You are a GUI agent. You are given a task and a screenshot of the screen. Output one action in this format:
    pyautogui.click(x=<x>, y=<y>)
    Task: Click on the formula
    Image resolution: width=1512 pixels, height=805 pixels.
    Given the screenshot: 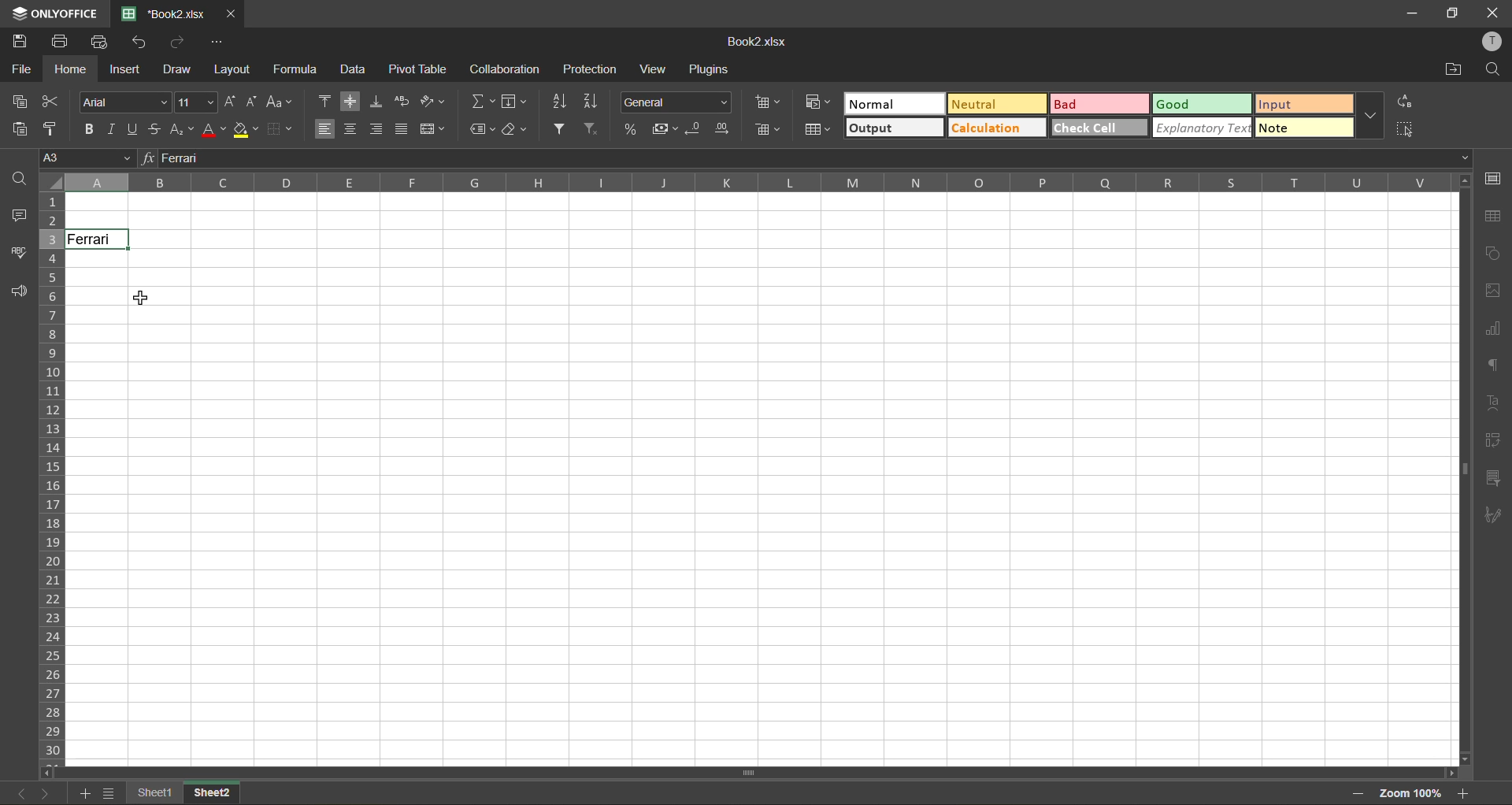 What is the action you would take?
    pyautogui.click(x=299, y=69)
    